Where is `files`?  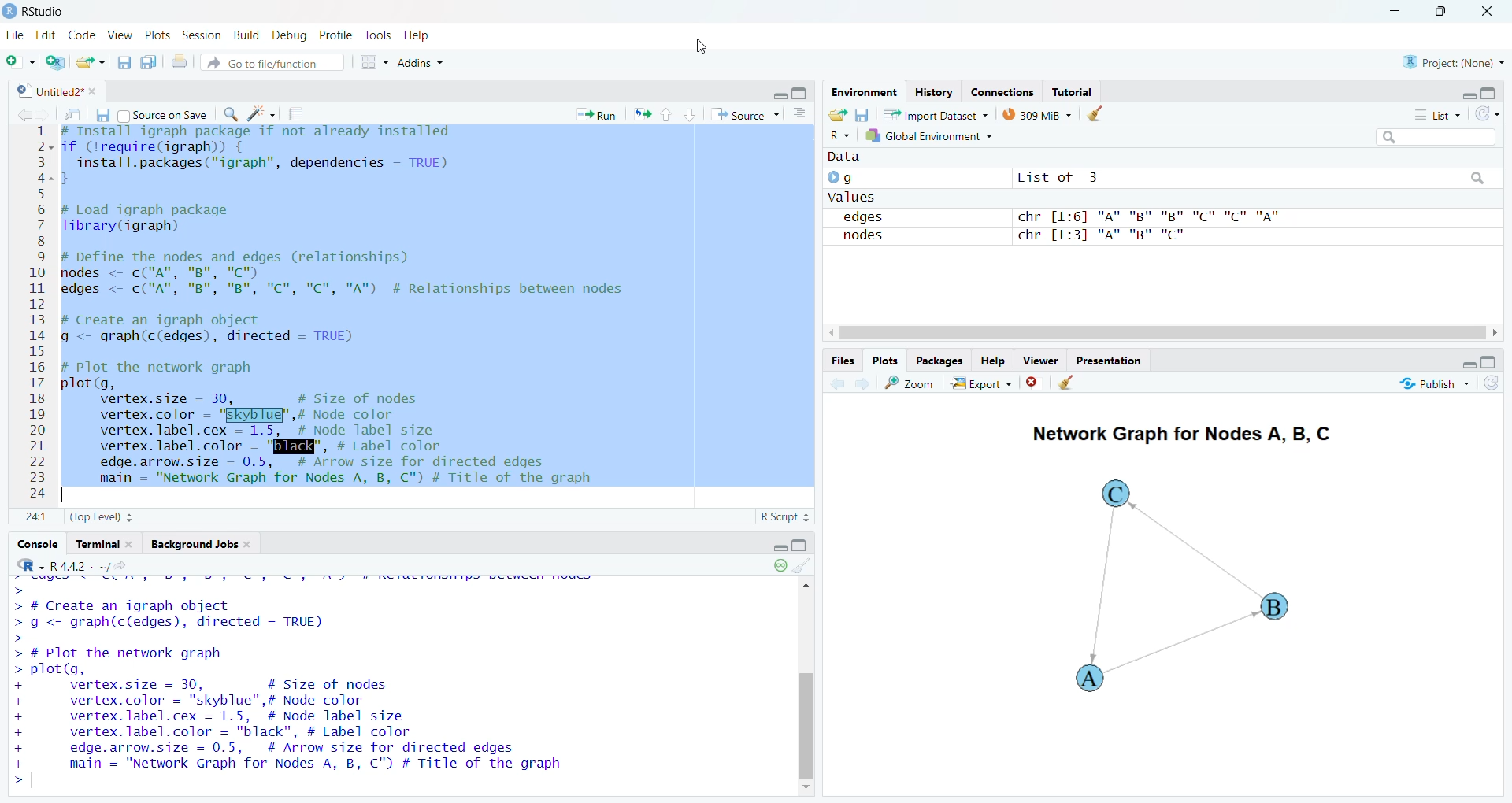
files is located at coordinates (120, 64).